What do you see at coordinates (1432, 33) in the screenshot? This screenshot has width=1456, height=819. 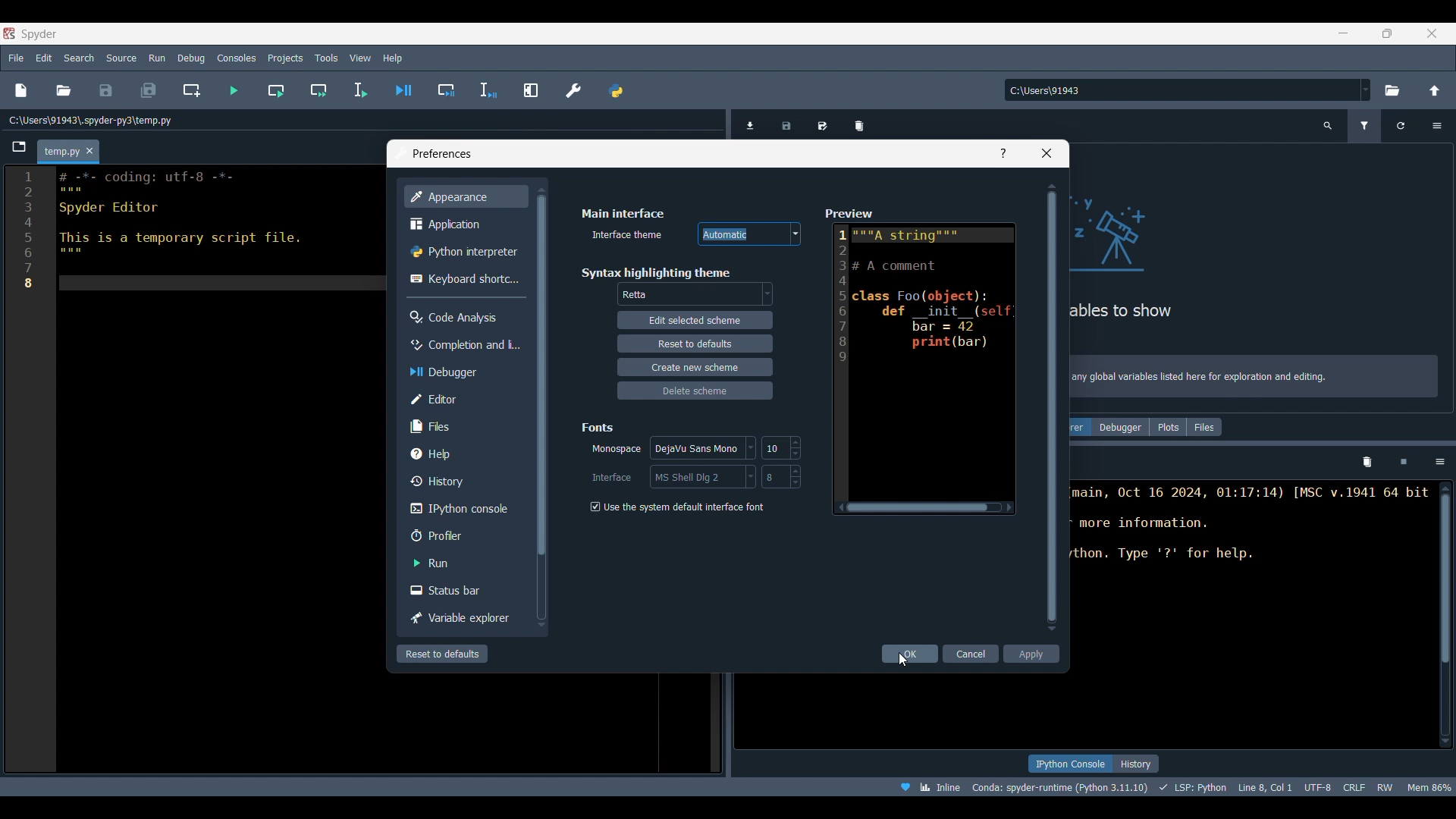 I see `Close interface` at bounding box center [1432, 33].